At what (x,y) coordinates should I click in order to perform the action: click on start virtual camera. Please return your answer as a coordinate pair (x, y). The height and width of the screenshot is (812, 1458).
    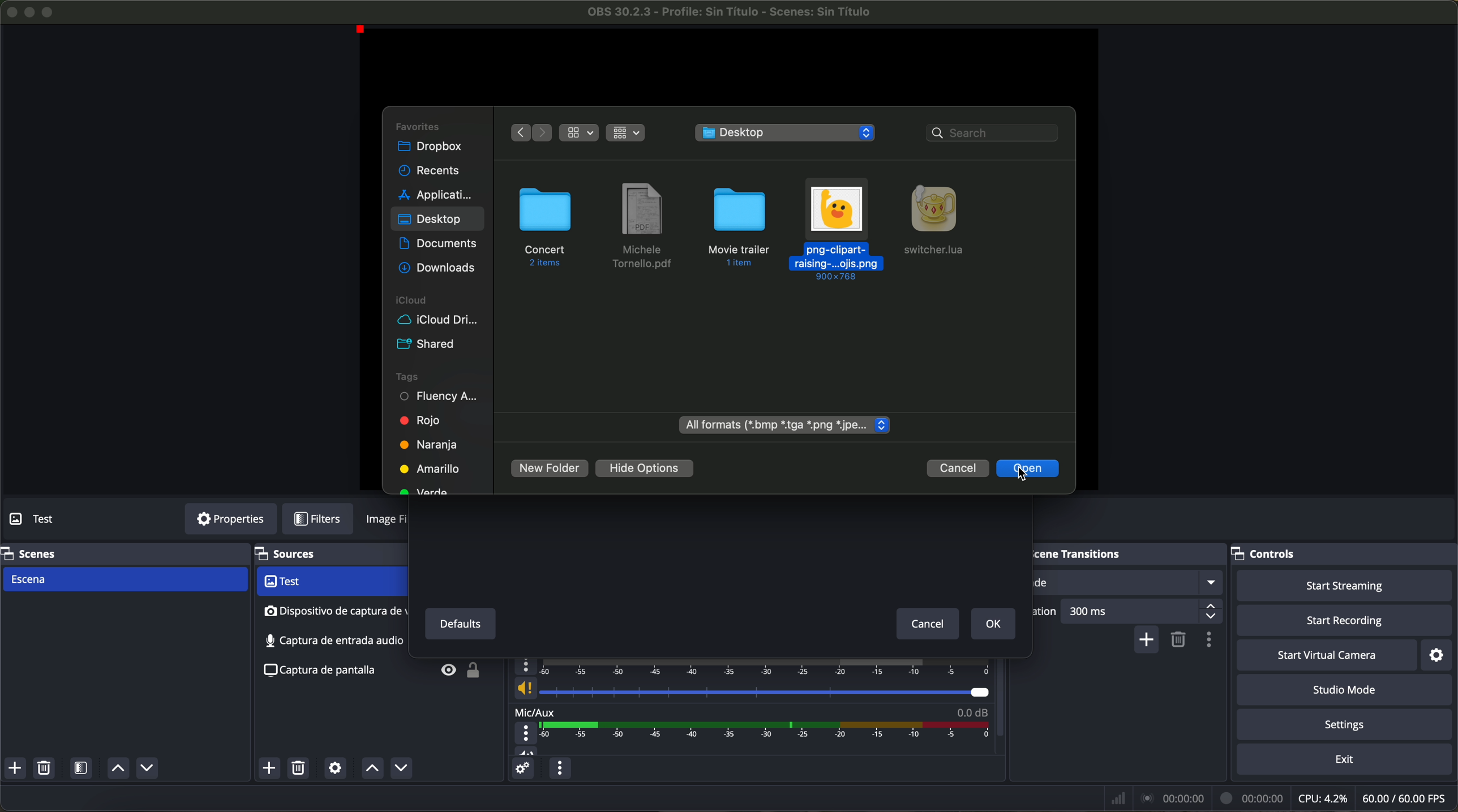
    Looking at the image, I should click on (1327, 655).